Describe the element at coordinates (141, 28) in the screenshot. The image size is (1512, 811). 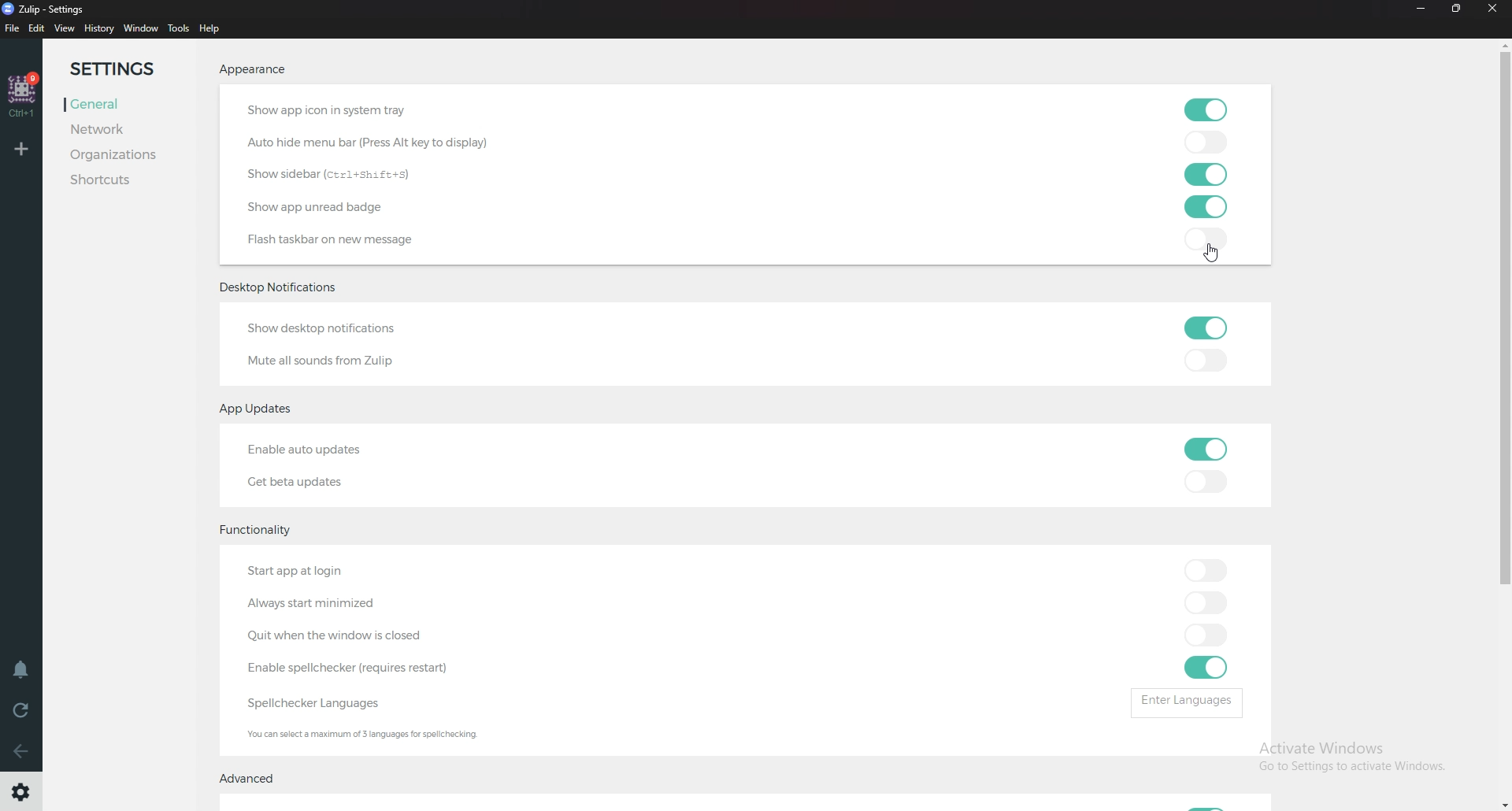
I see `Window` at that location.